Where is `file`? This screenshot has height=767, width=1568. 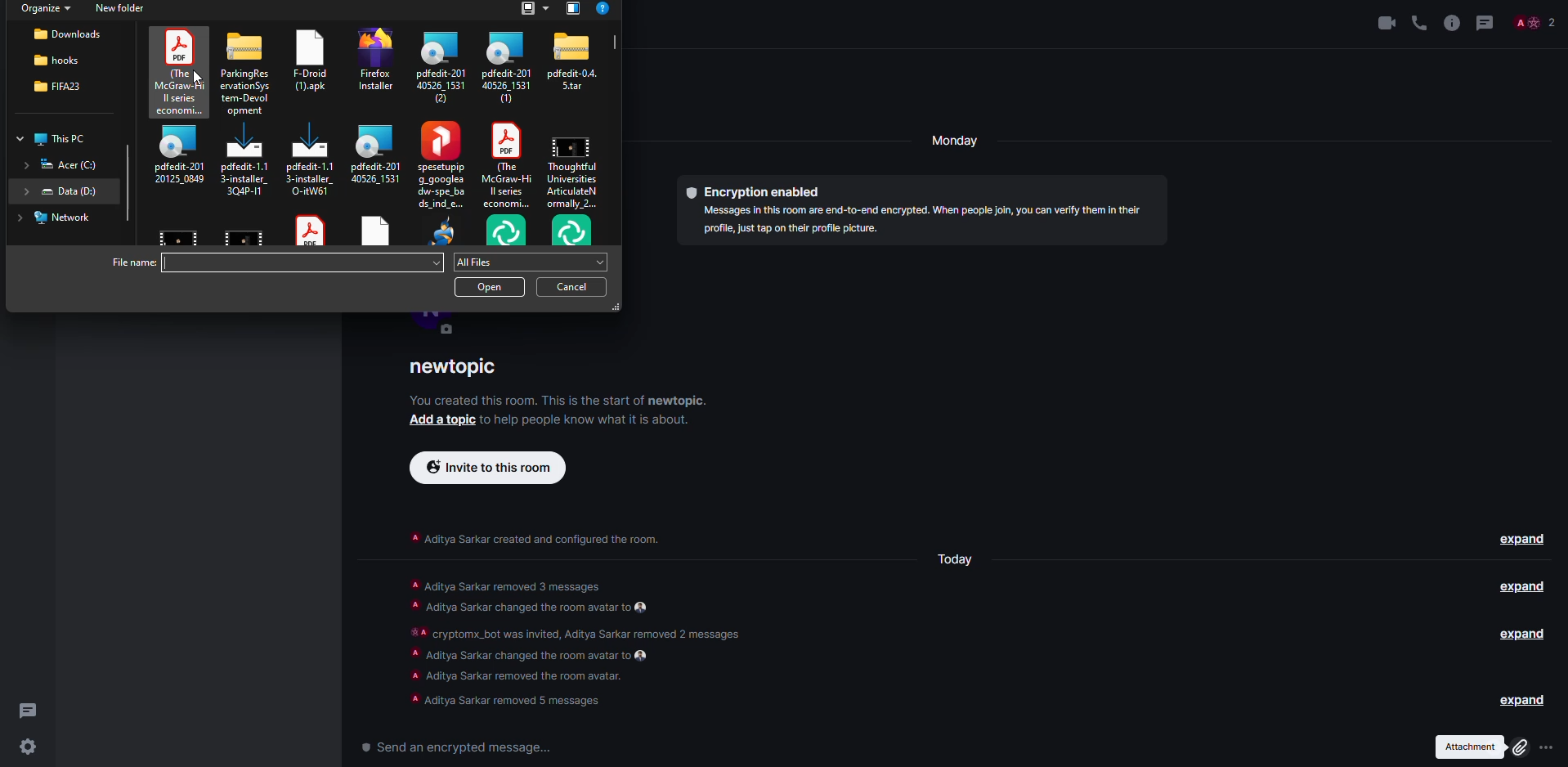
file is located at coordinates (505, 231).